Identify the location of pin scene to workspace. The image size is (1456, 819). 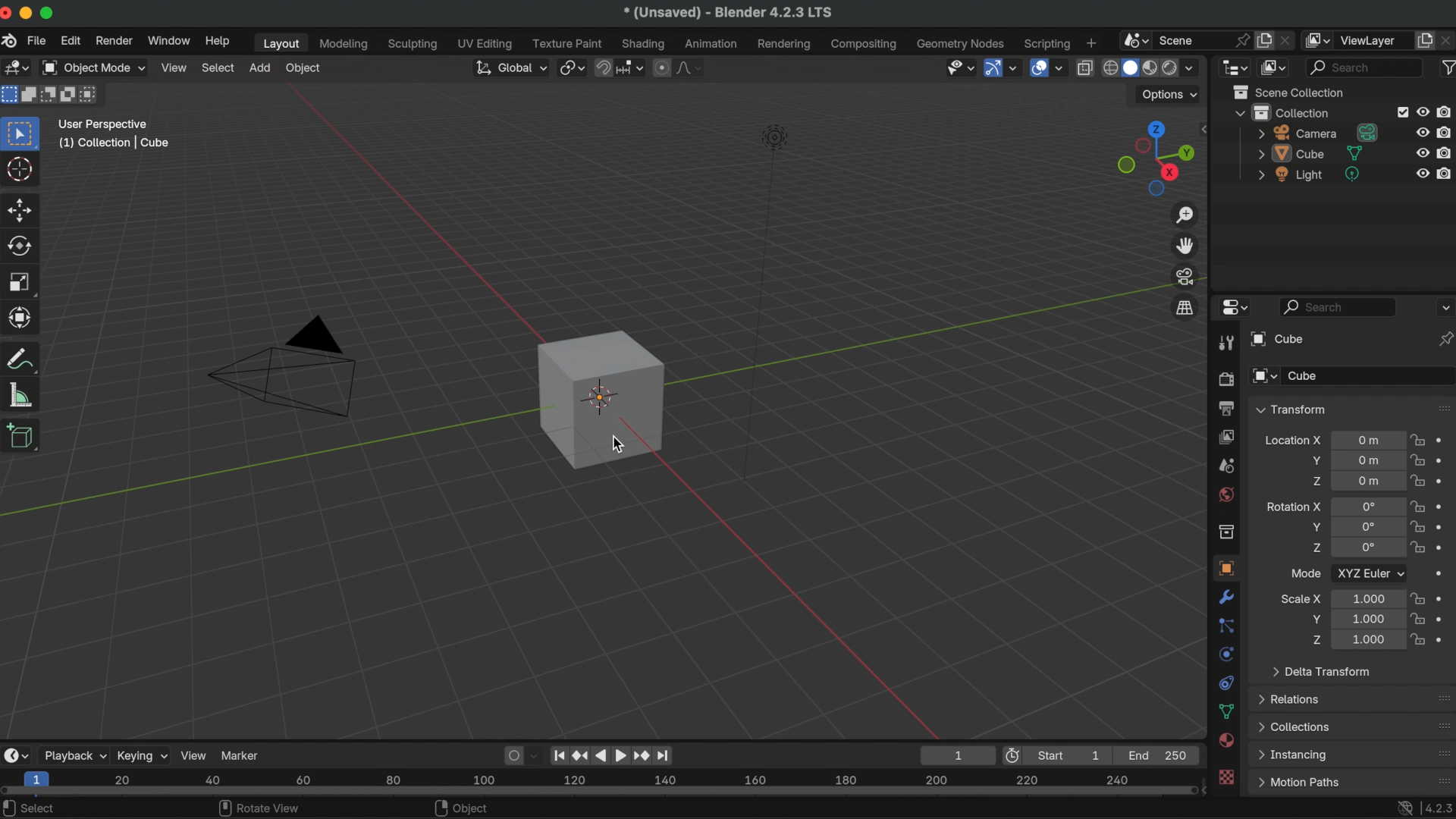
(1241, 38).